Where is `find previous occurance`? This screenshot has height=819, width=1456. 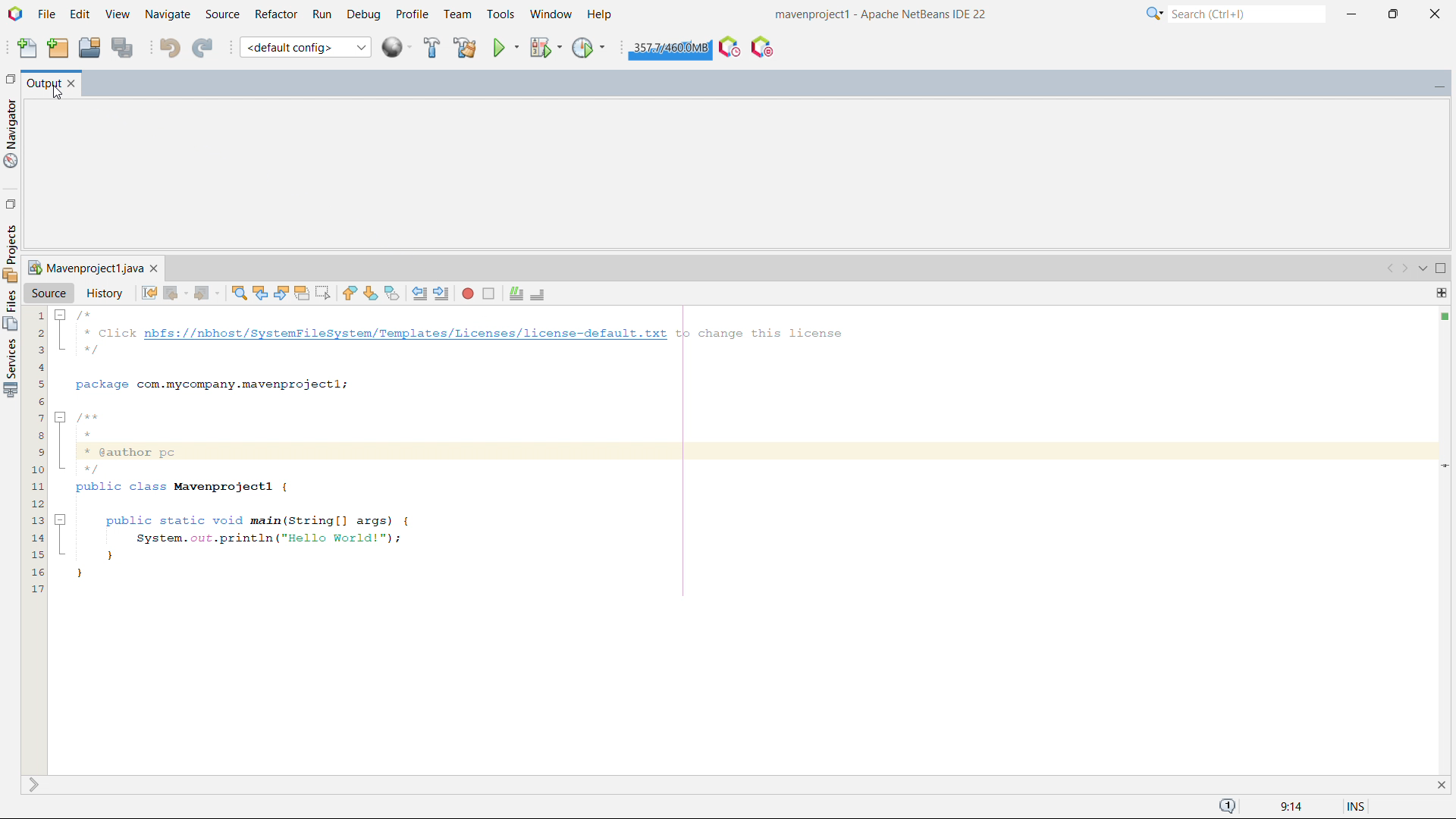 find previous occurance is located at coordinates (260, 291).